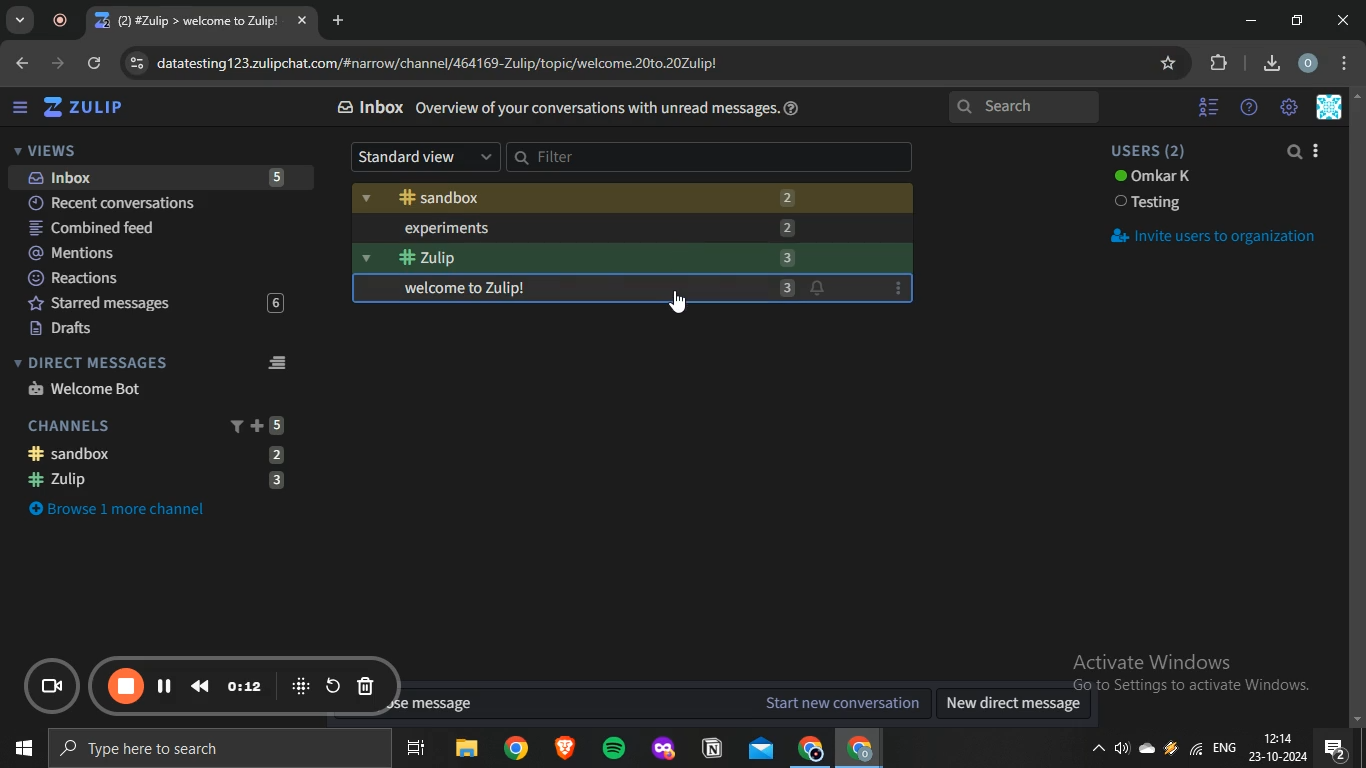 The width and height of the screenshot is (1366, 768). Describe the element at coordinates (333, 685) in the screenshot. I see `reload` at that location.